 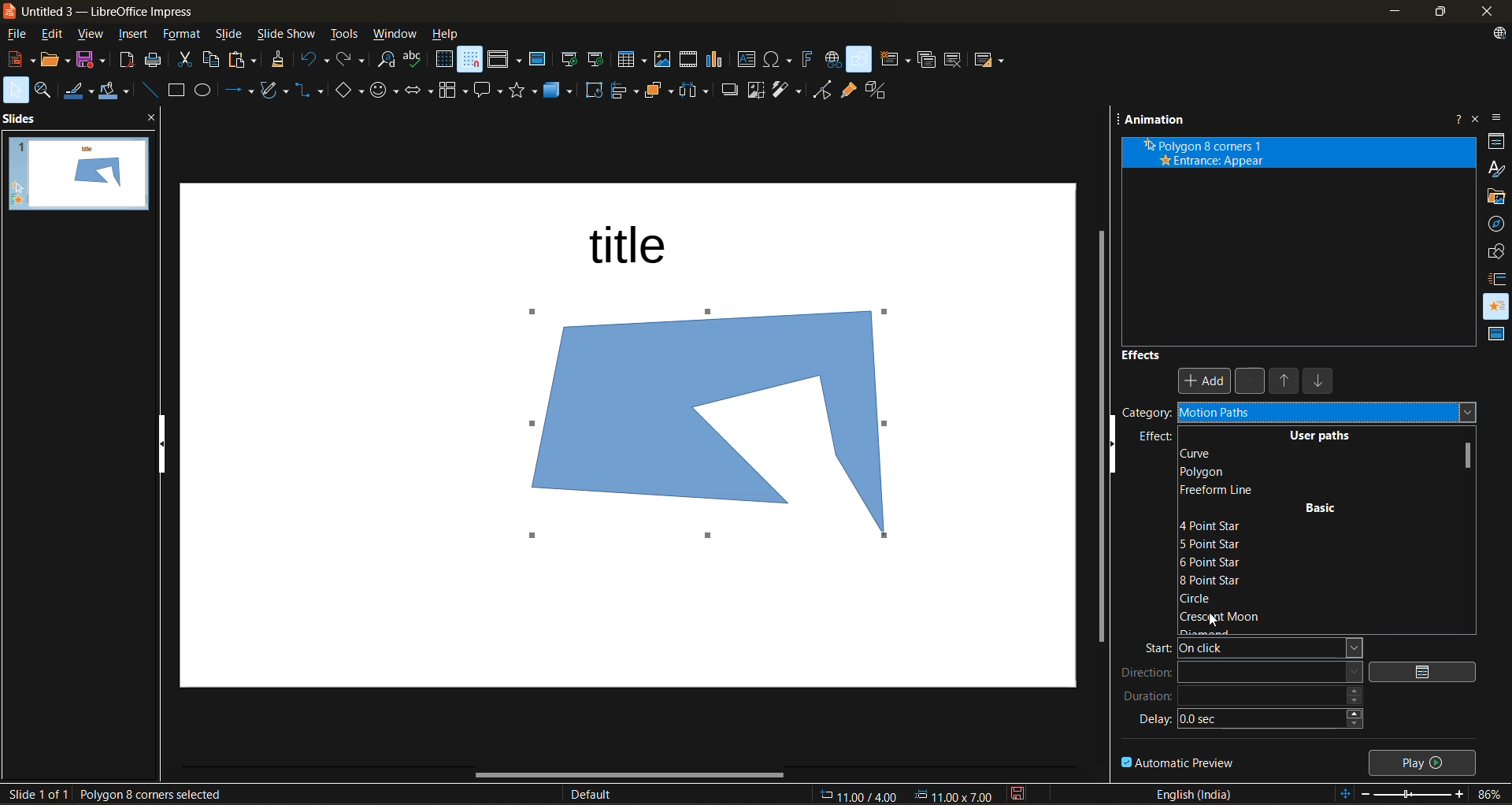 I want to click on click to save, so click(x=1017, y=793).